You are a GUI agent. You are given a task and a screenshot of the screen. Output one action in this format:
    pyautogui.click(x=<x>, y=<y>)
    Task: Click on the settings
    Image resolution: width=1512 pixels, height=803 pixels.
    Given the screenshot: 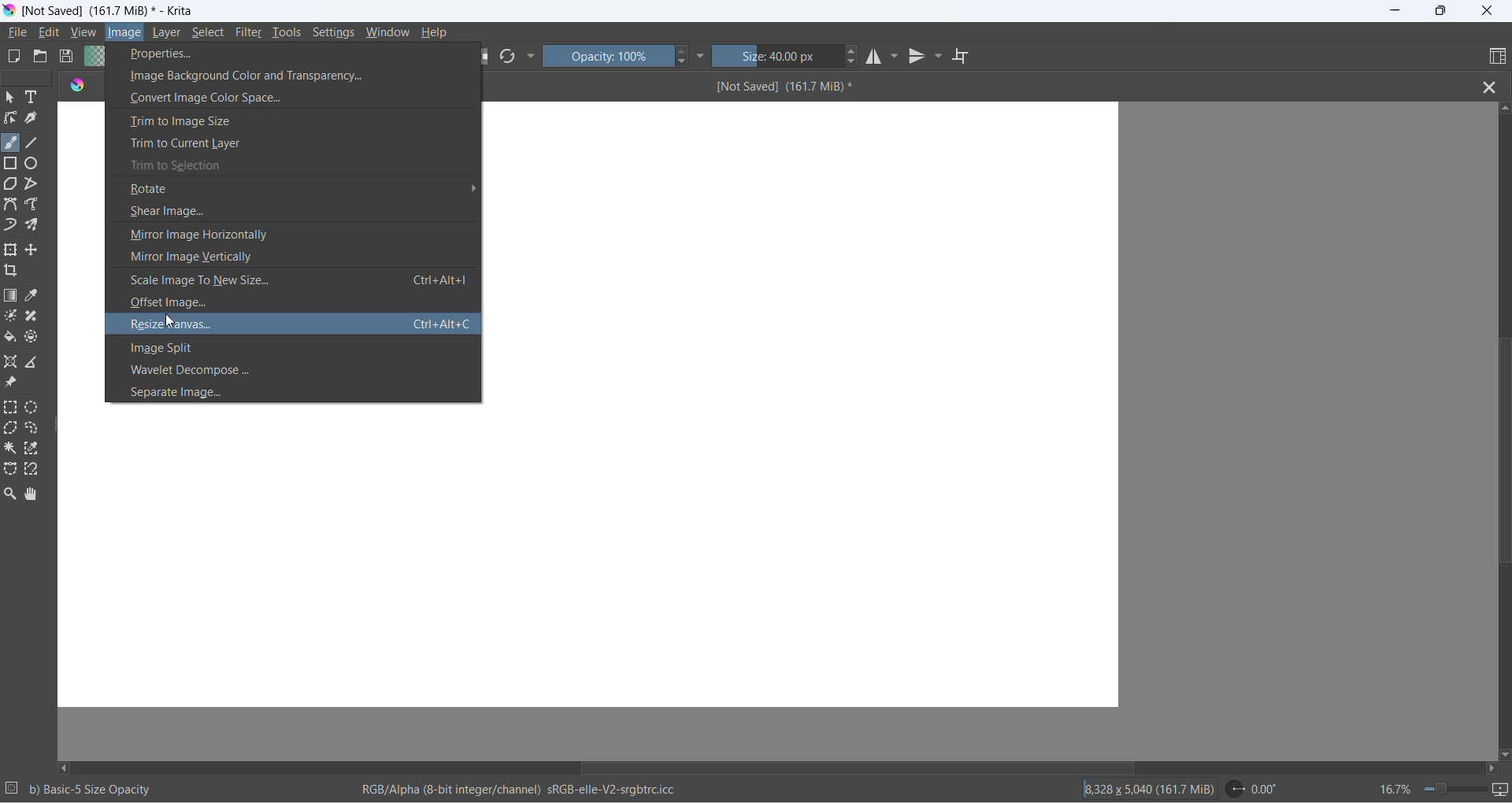 What is the action you would take?
    pyautogui.click(x=337, y=34)
    